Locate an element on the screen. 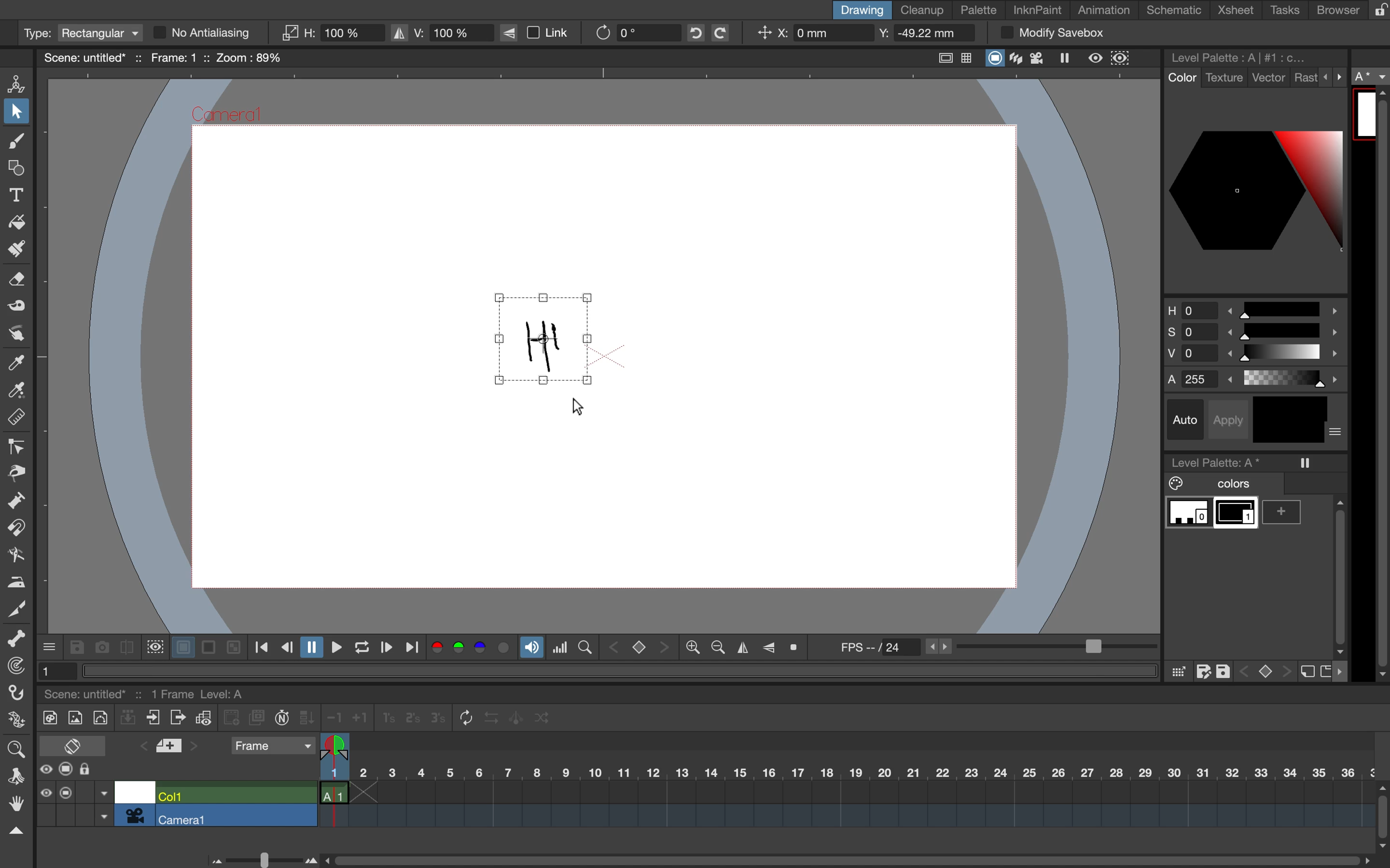  x coordinate is located at coordinates (809, 34).